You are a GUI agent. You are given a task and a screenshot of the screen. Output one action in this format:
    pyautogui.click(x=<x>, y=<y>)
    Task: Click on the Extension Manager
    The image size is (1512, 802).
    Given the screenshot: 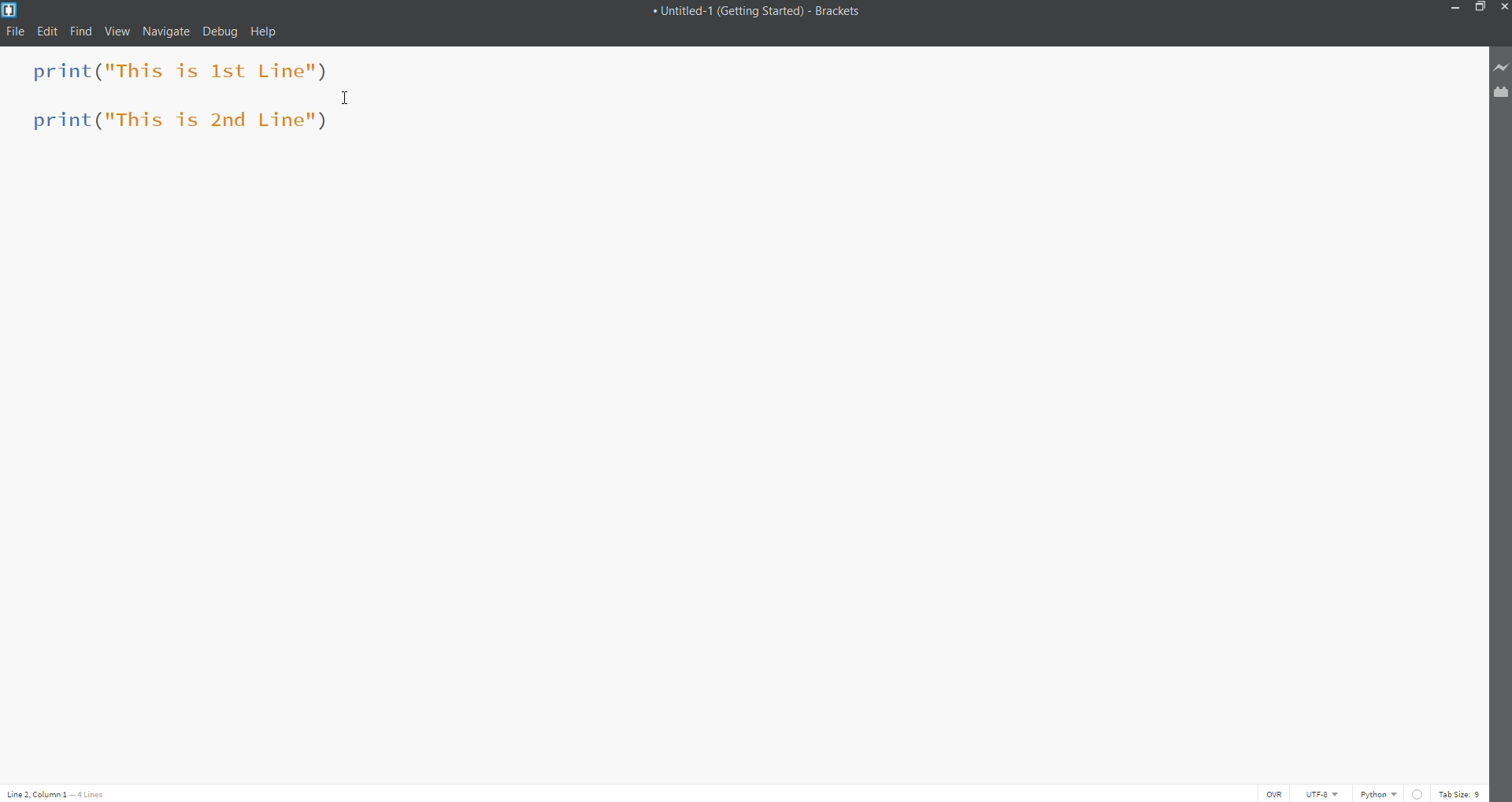 What is the action you would take?
    pyautogui.click(x=1500, y=94)
    